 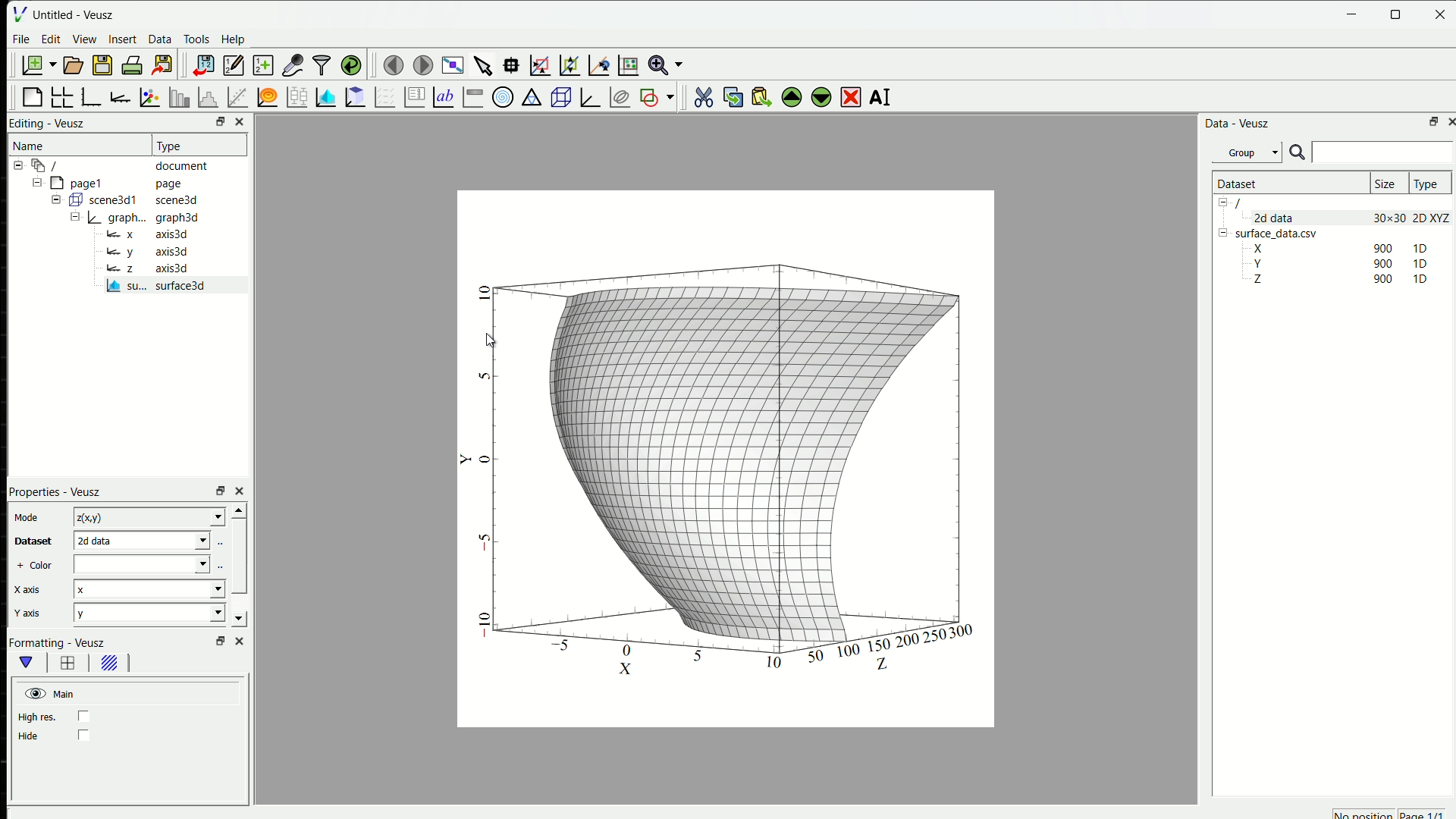 What do you see at coordinates (73, 16) in the screenshot?
I see `Untitled - Veusz` at bounding box center [73, 16].